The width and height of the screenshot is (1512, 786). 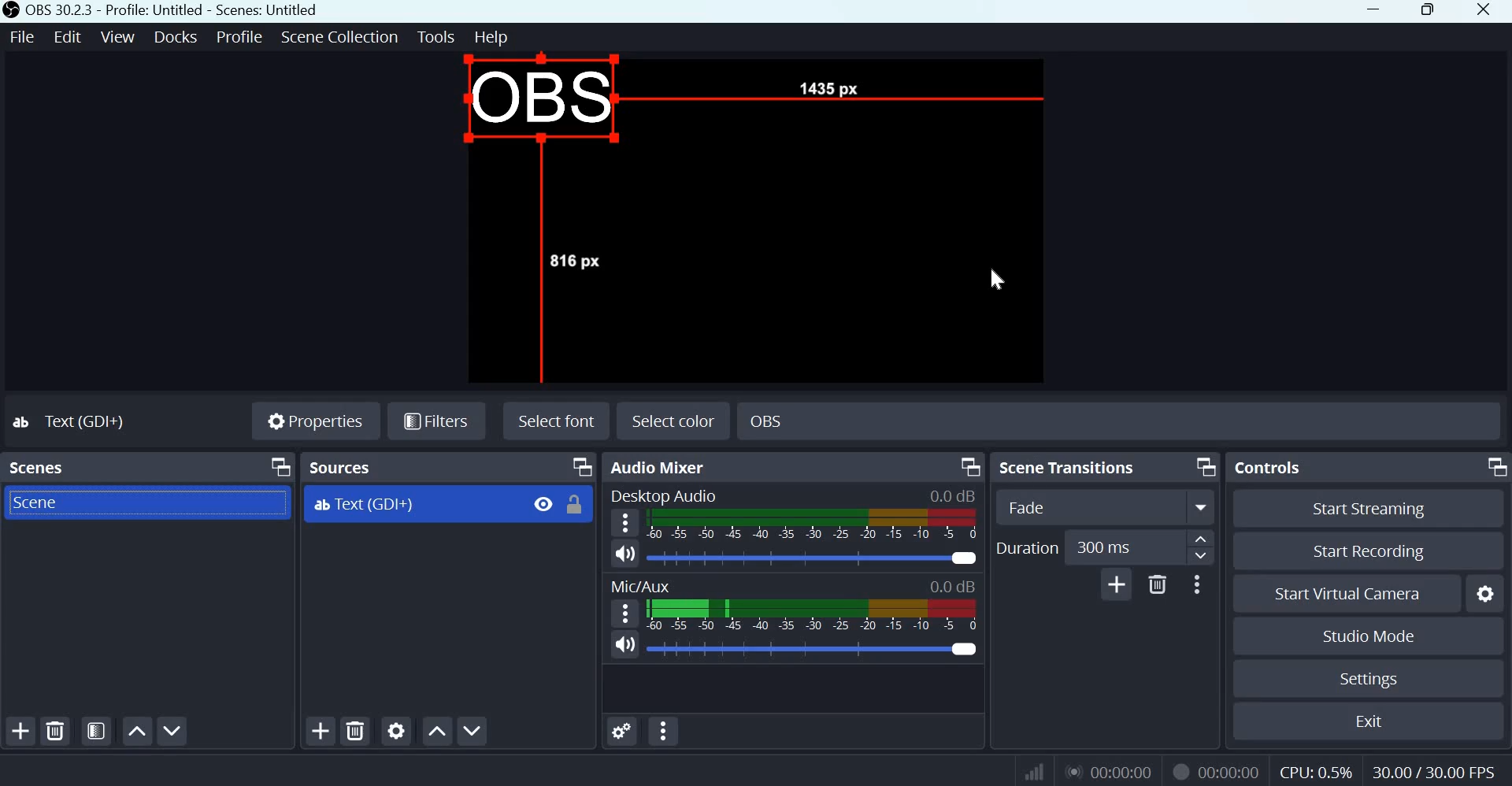 What do you see at coordinates (1178, 771) in the screenshot?
I see `Recording Status Icon` at bounding box center [1178, 771].